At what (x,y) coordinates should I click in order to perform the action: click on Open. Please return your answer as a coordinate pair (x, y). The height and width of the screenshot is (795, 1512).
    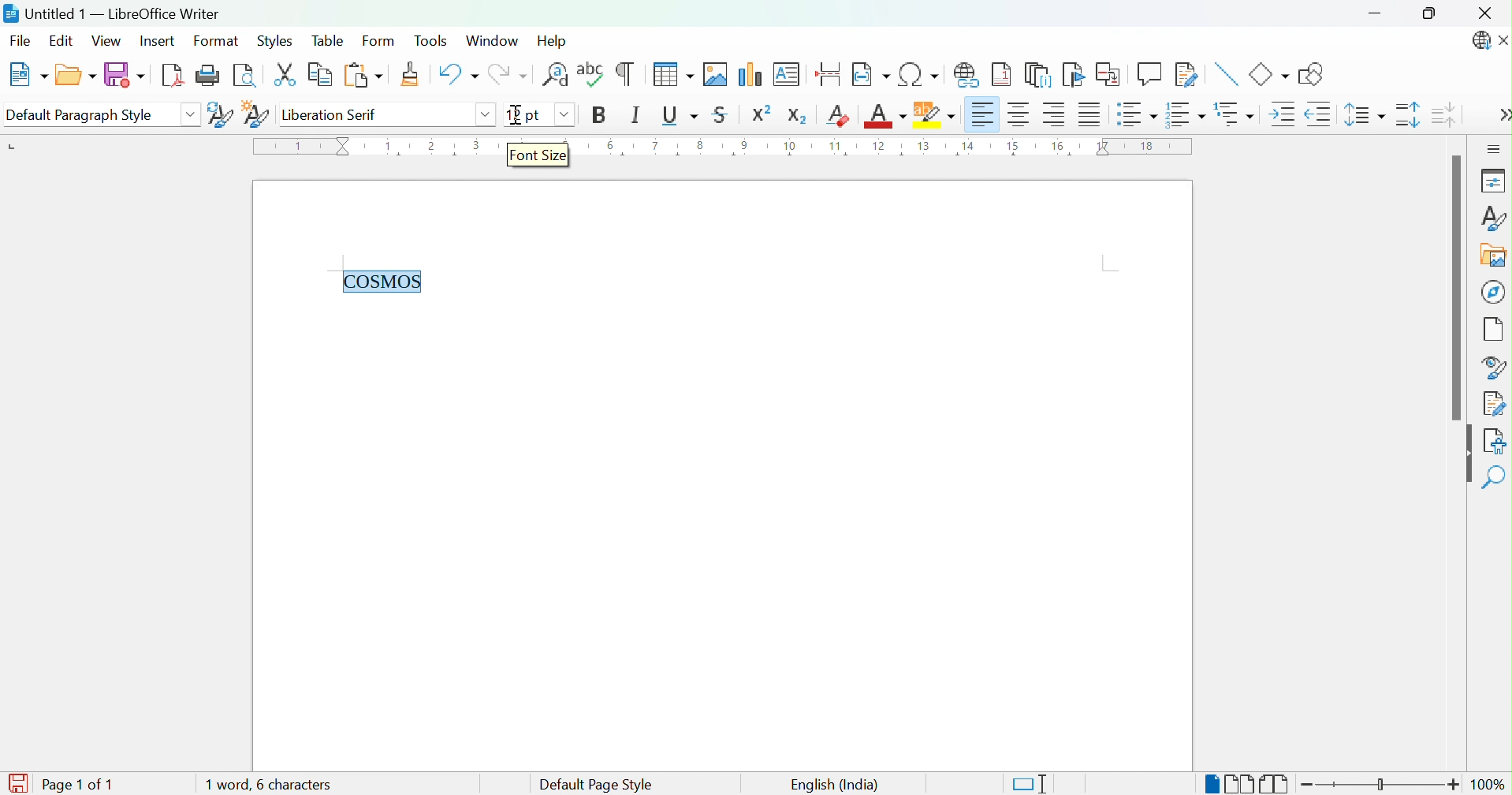
    Looking at the image, I should click on (75, 76).